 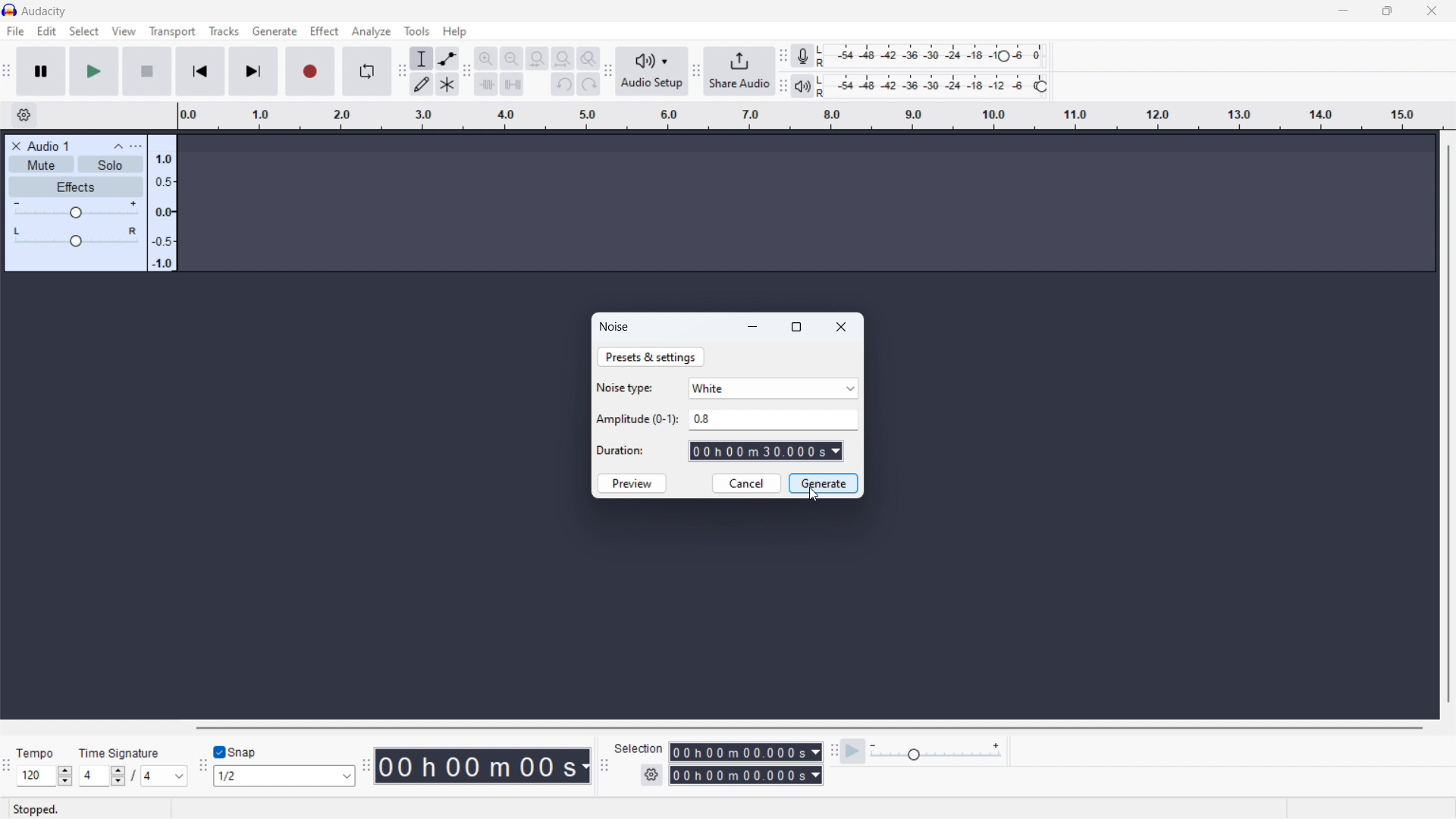 What do you see at coordinates (604, 763) in the screenshot?
I see `selection toolbar` at bounding box center [604, 763].